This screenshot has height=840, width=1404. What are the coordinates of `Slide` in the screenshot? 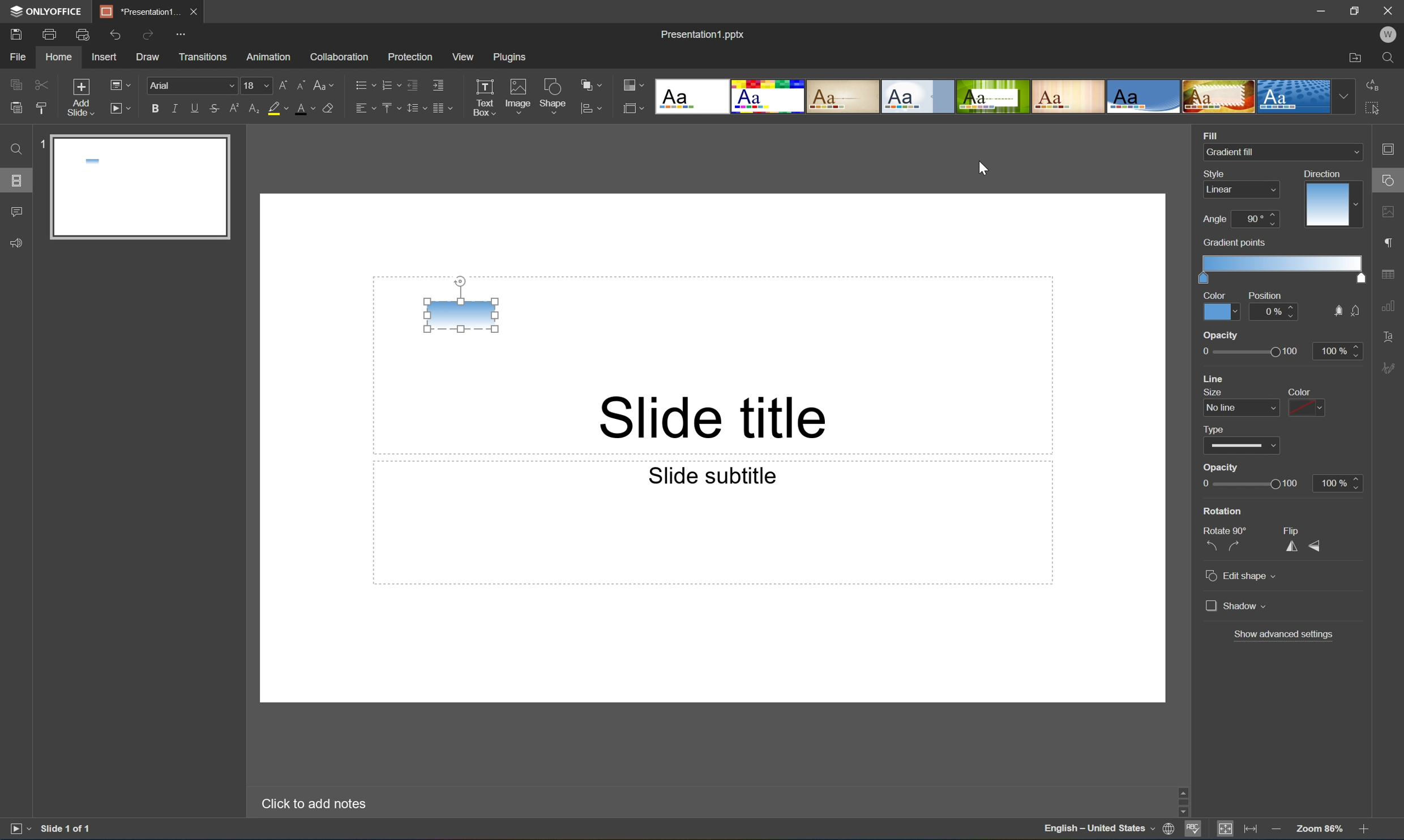 It's located at (142, 188).